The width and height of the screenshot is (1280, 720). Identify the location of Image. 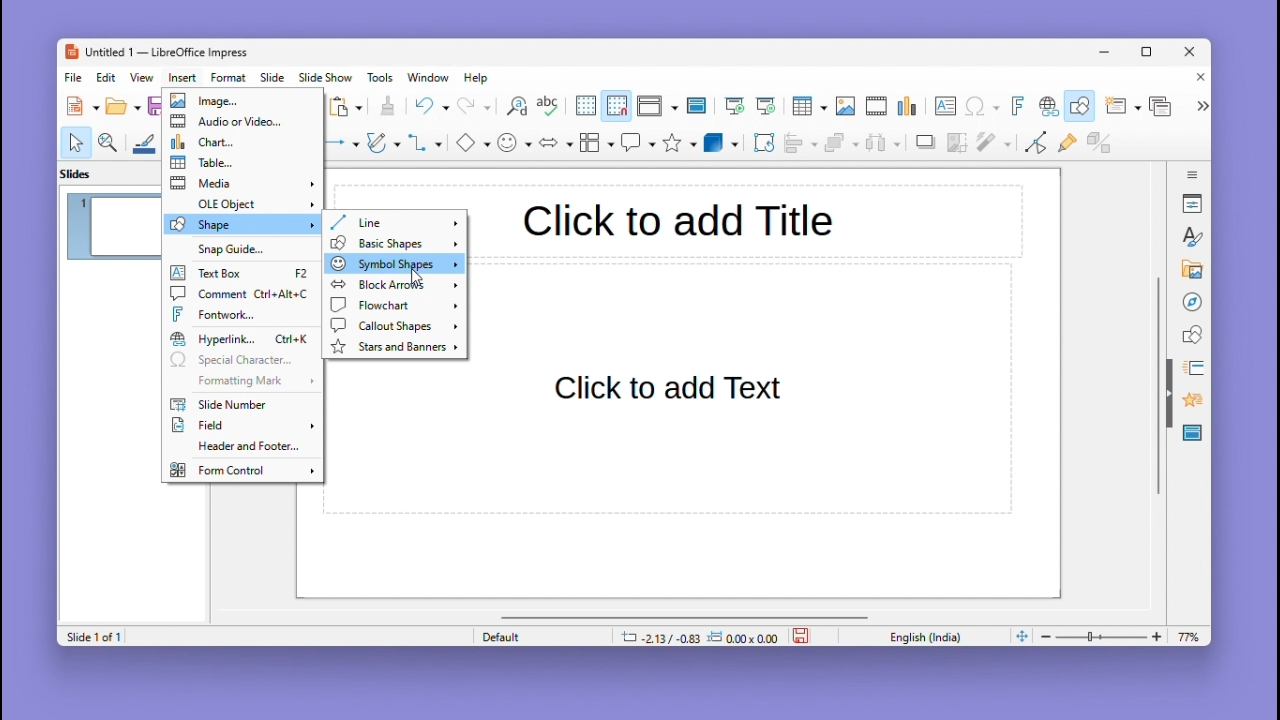
(845, 107).